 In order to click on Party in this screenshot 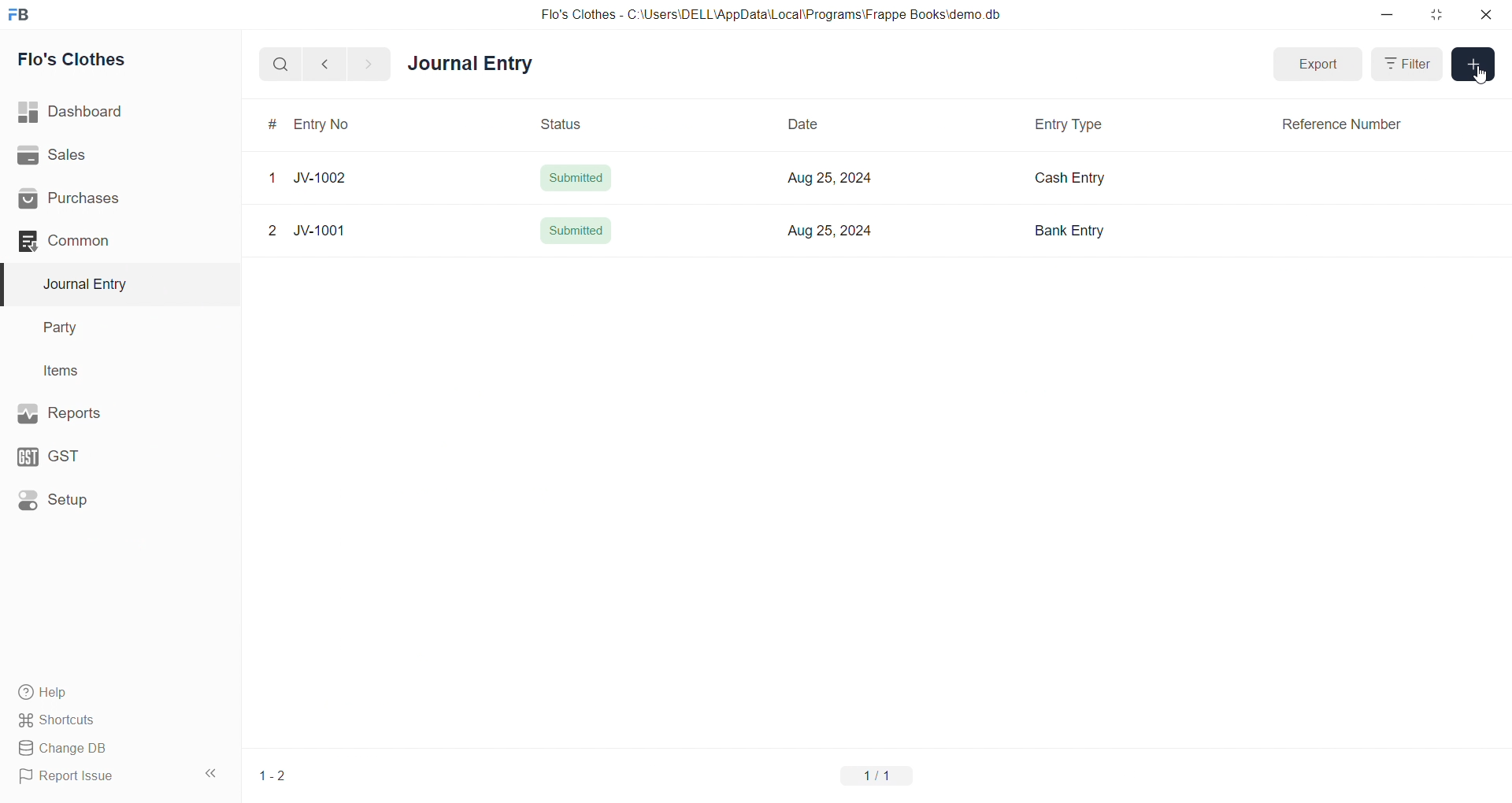, I will do `click(110, 328)`.